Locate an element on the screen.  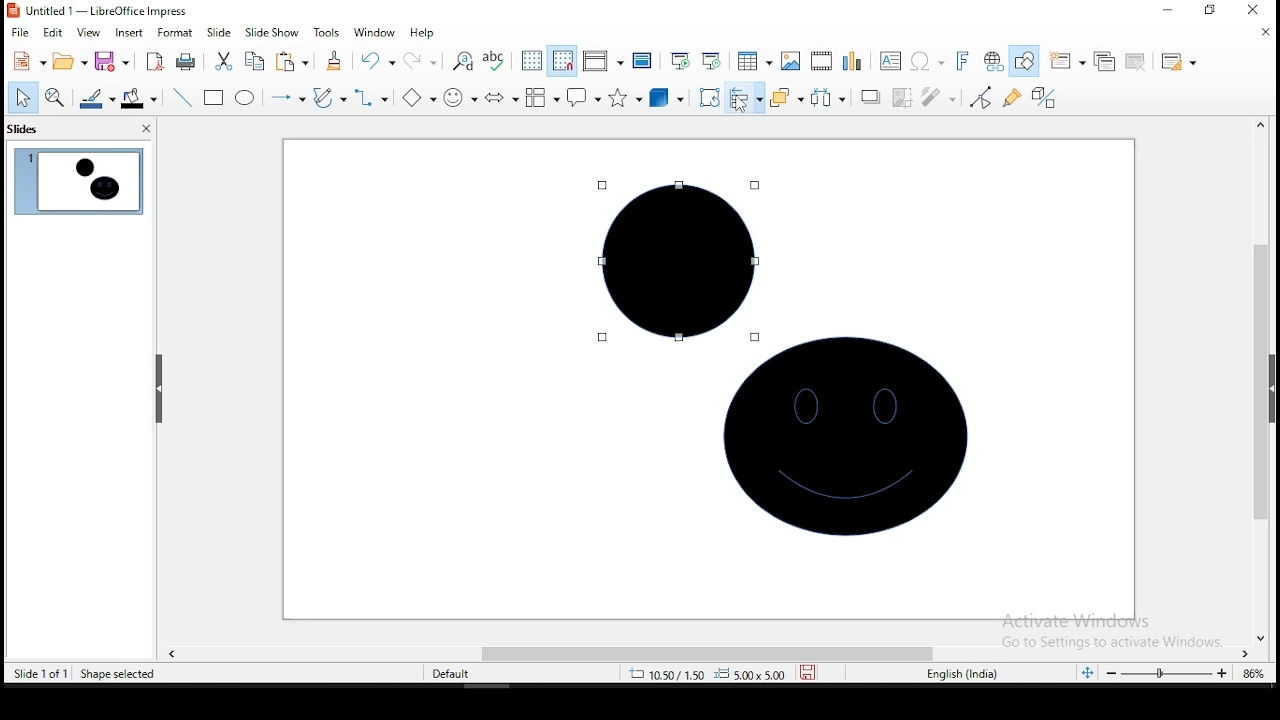
Shadow is located at coordinates (869, 97).